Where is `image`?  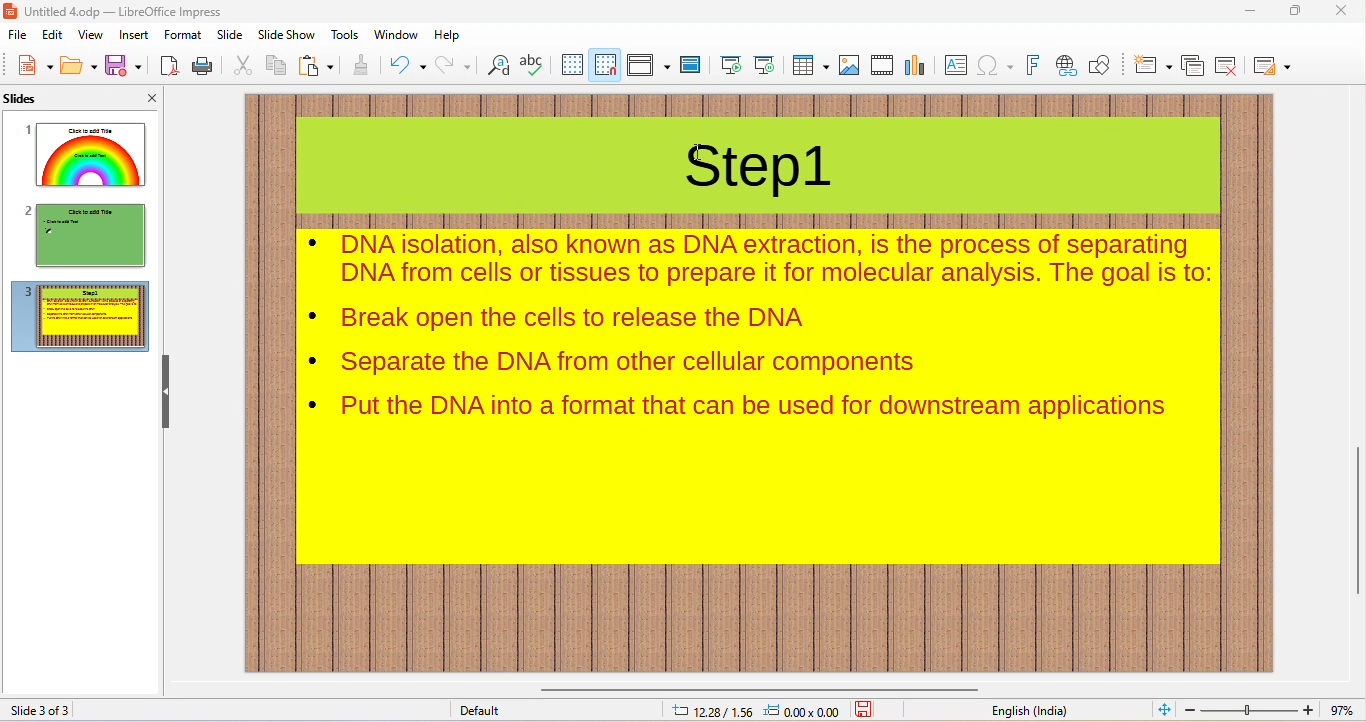 image is located at coordinates (848, 65).